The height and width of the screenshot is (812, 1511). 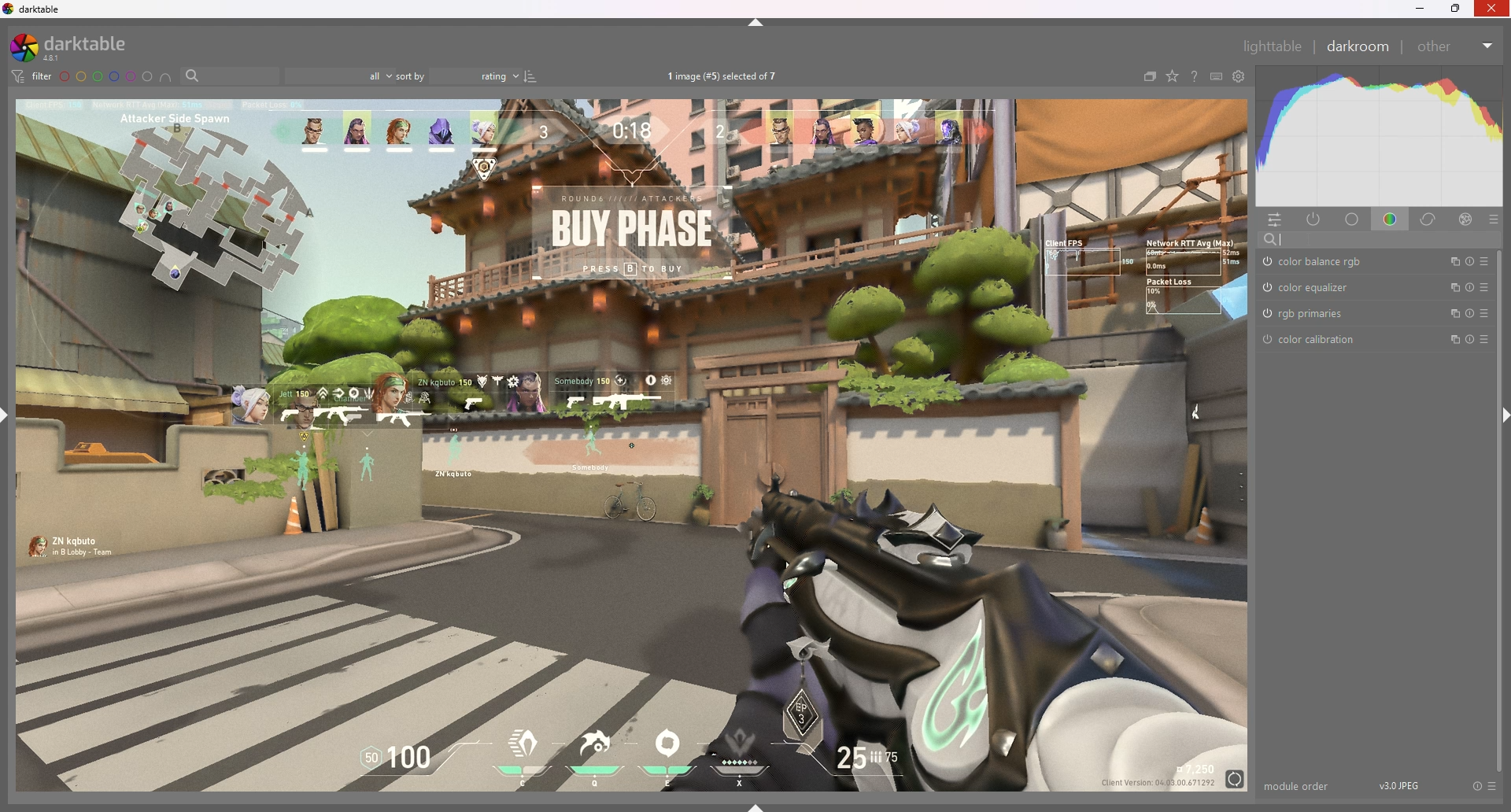 I want to click on multiple instances action, so click(x=1450, y=288).